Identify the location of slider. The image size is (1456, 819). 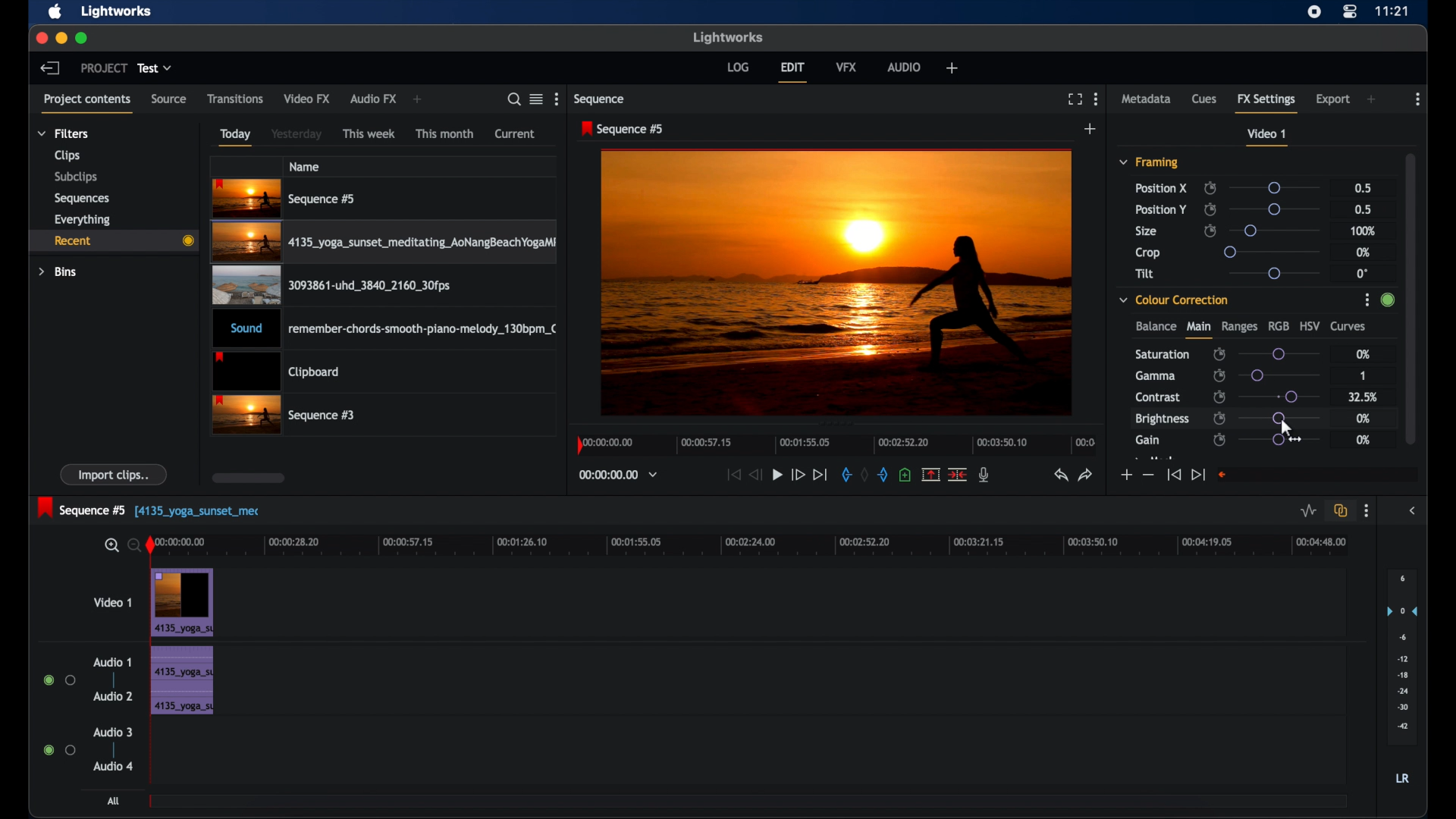
(1273, 188).